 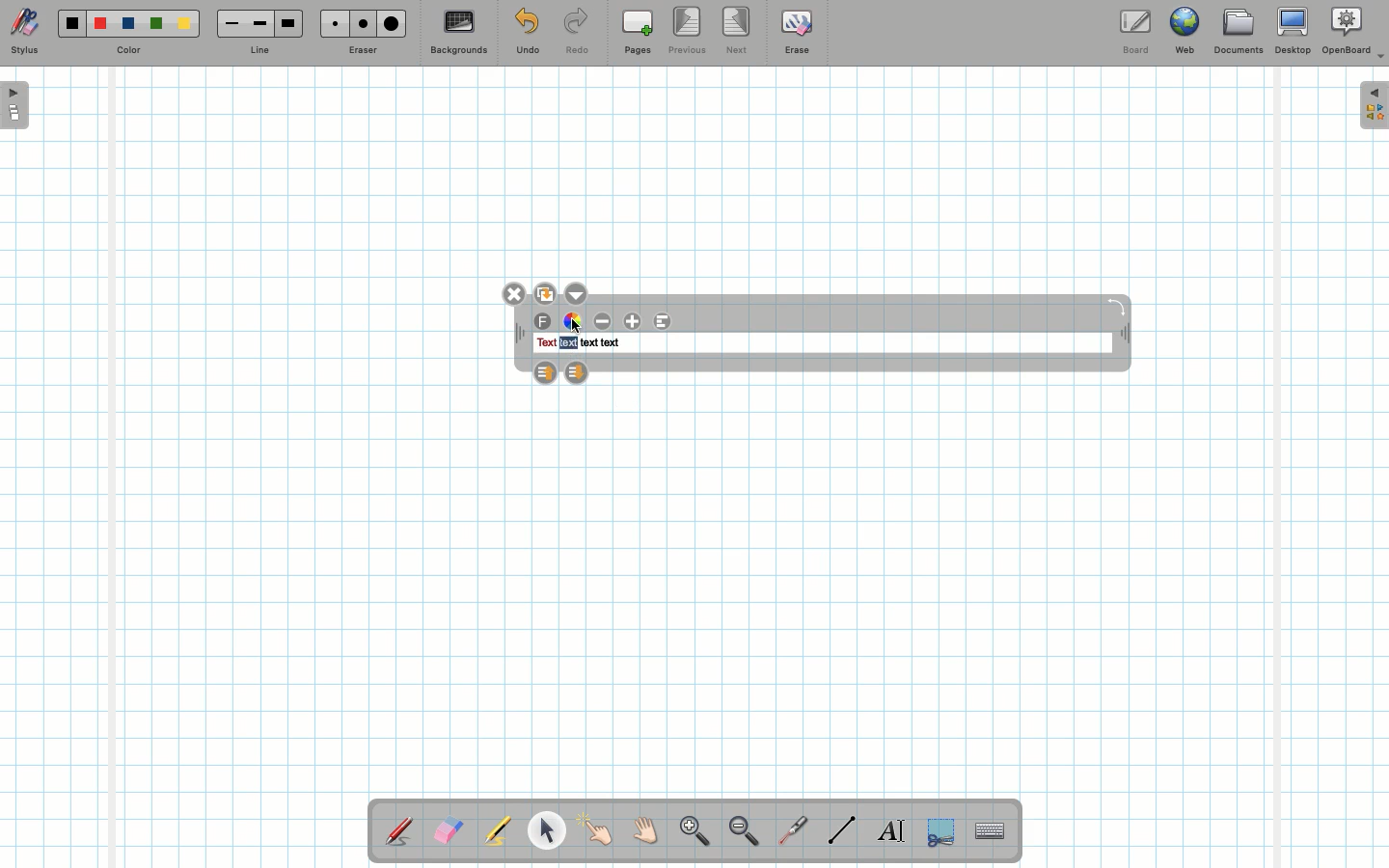 What do you see at coordinates (546, 830) in the screenshot?
I see `Pointer` at bounding box center [546, 830].